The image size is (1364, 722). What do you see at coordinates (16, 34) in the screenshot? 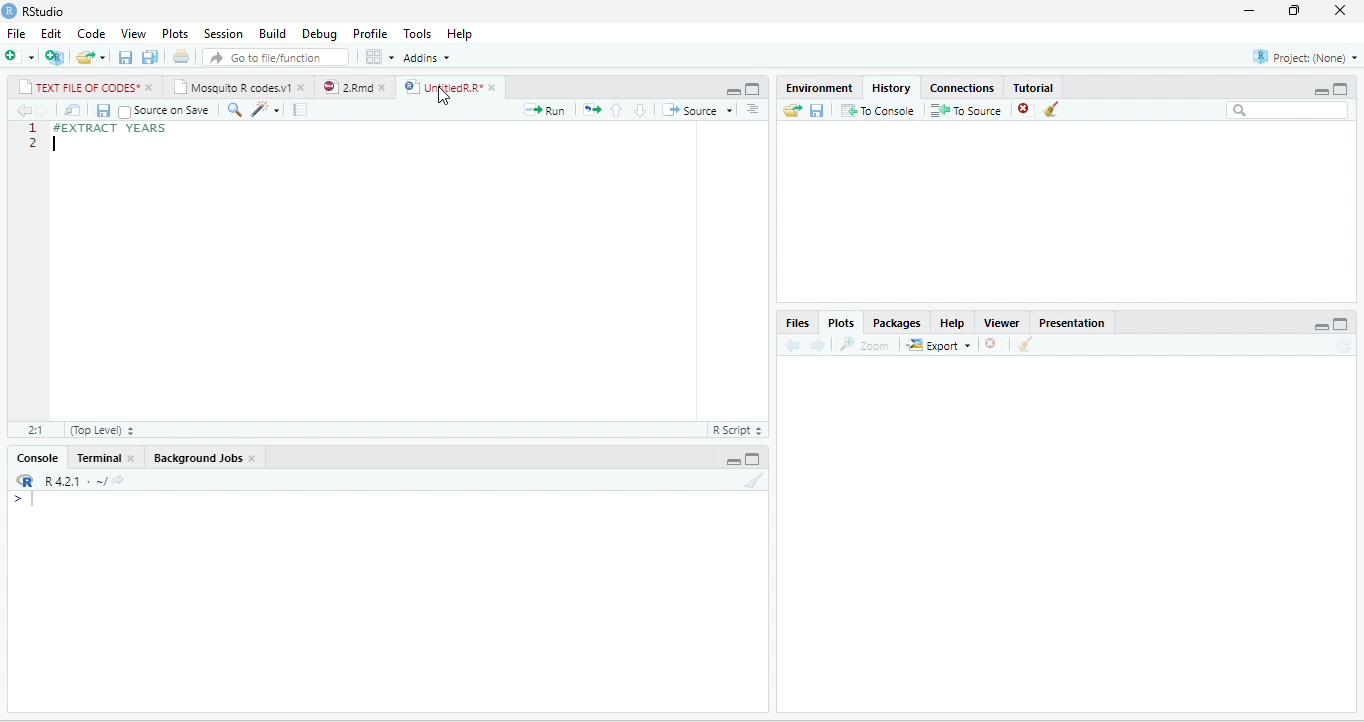
I see `File` at bounding box center [16, 34].